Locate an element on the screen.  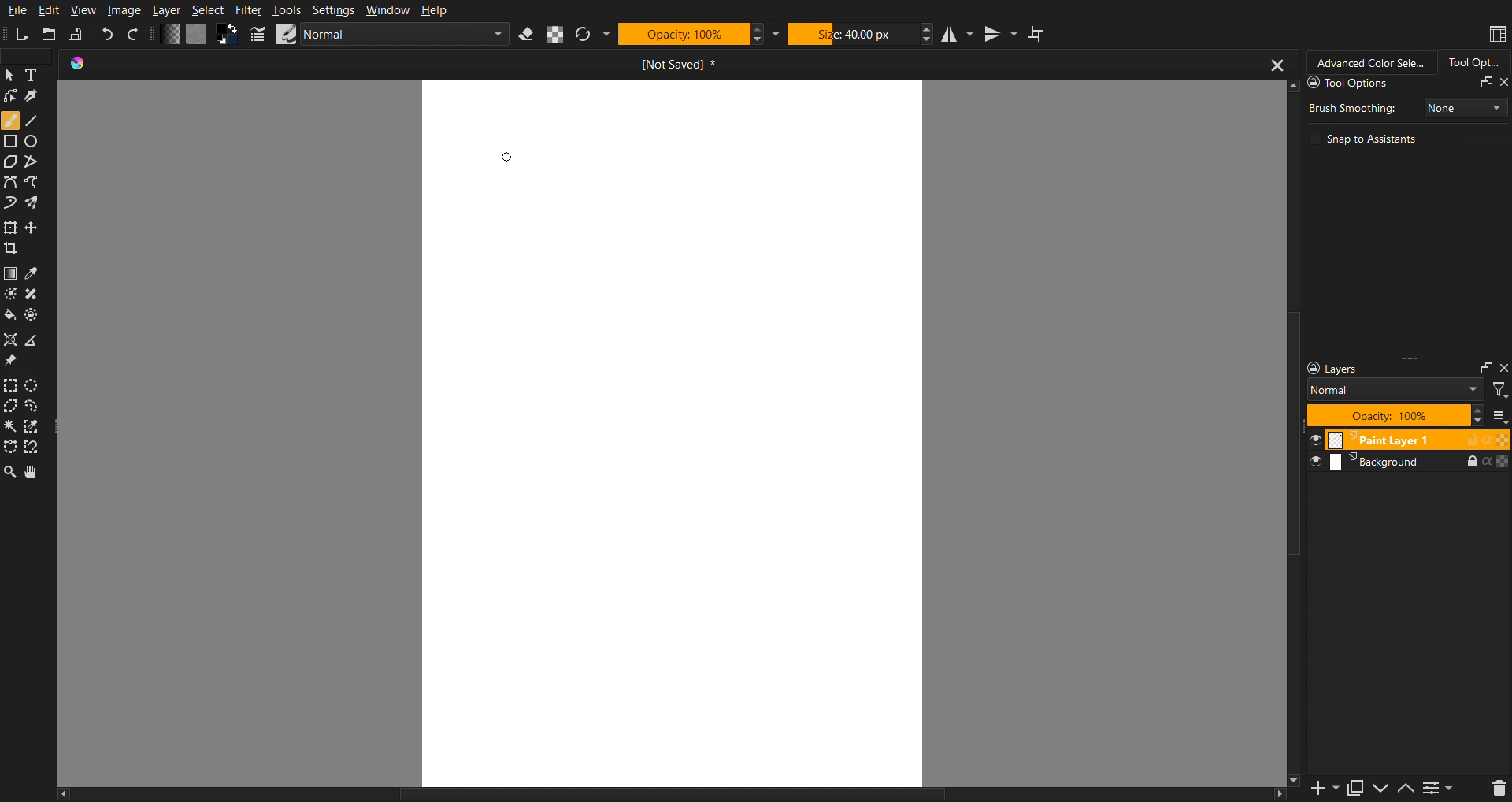
Delete is located at coordinates (1494, 789).